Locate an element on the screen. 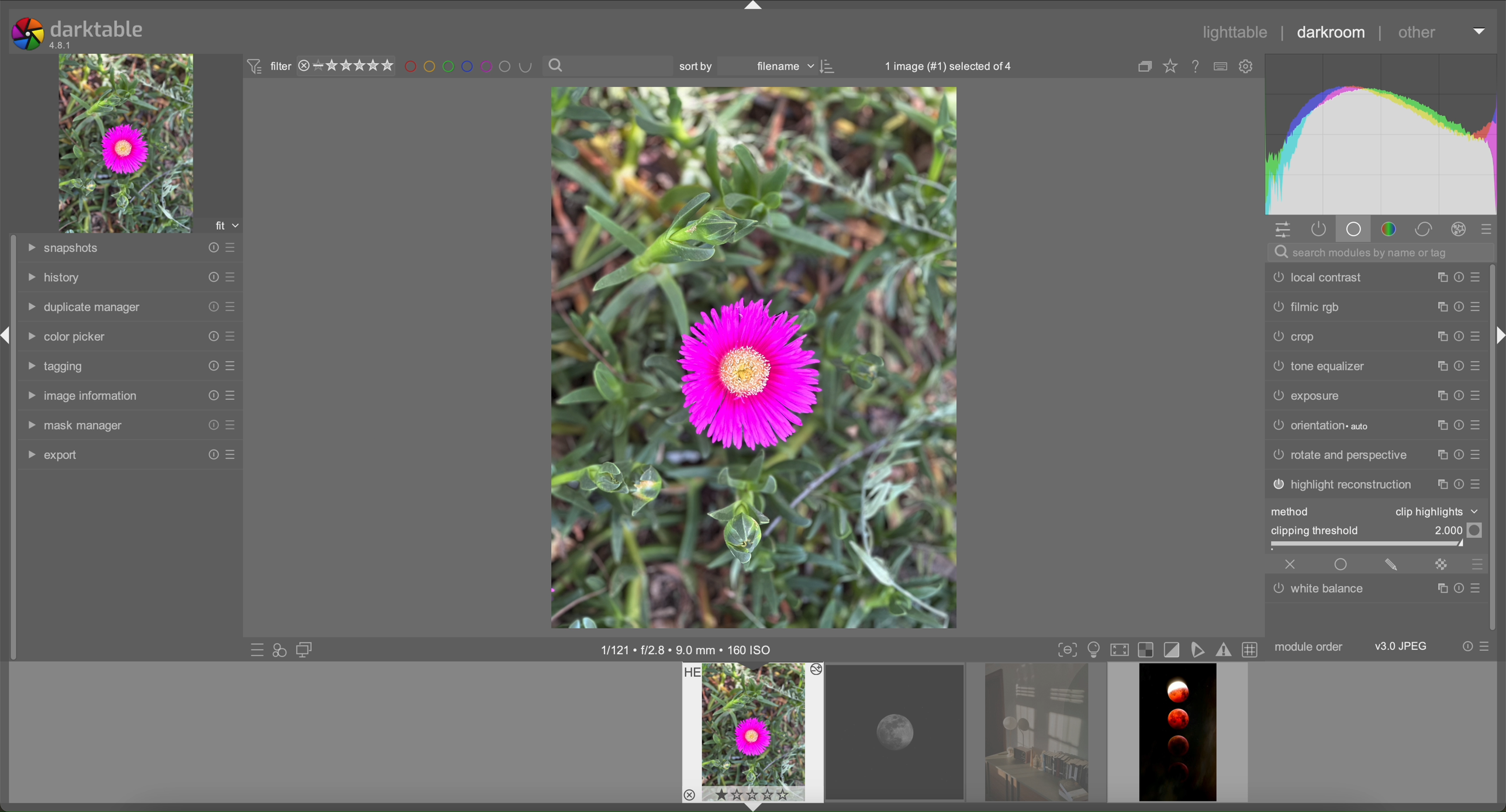  enable is located at coordinates (1342, 564).